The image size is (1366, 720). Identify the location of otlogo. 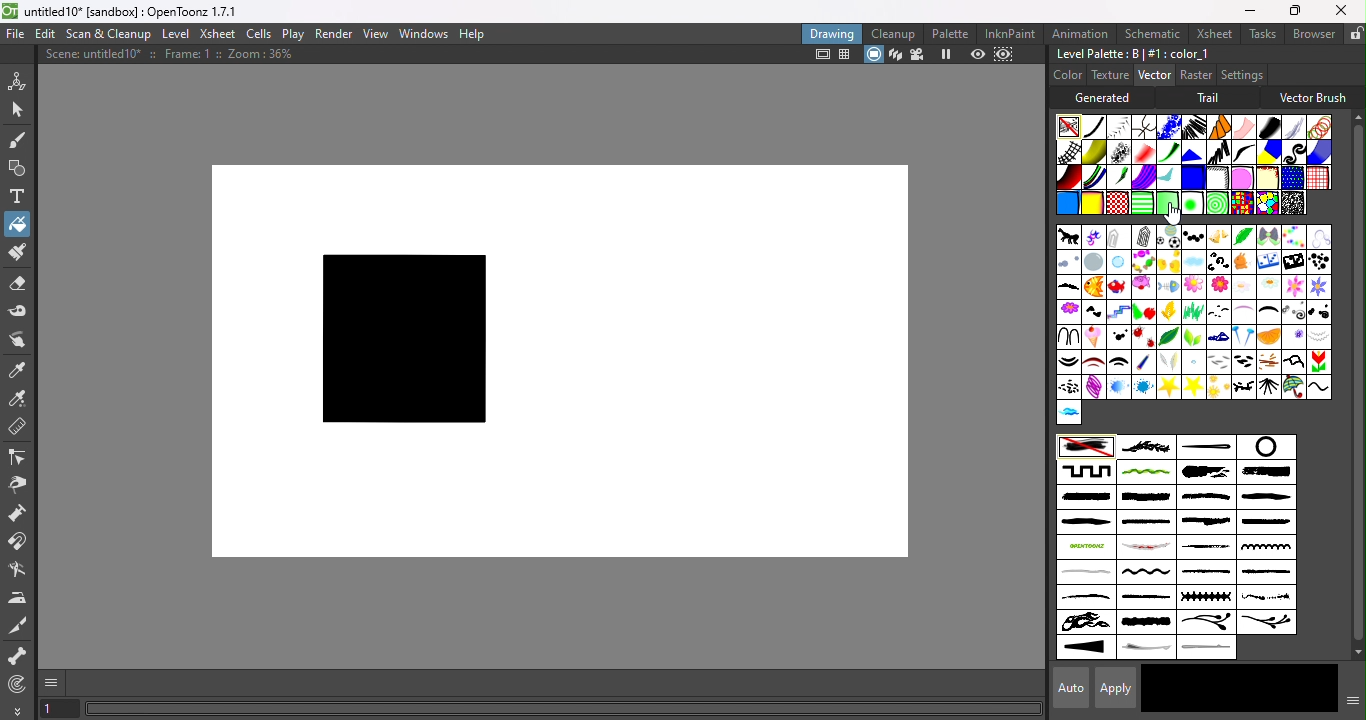
(1085, 546).